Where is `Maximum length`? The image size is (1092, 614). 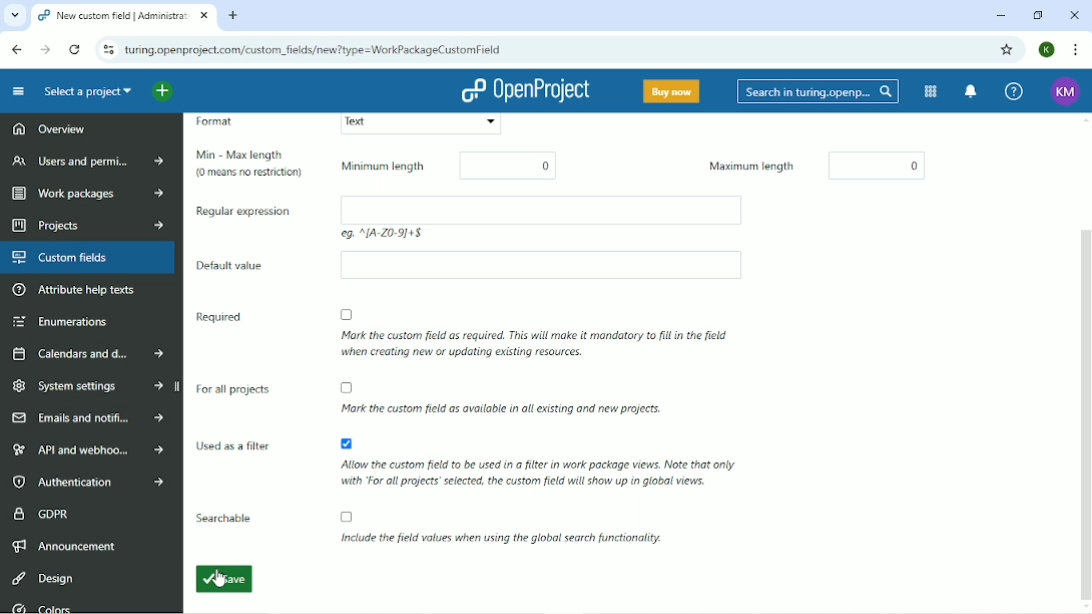 Maximum length is located at coordinates (736, 165).